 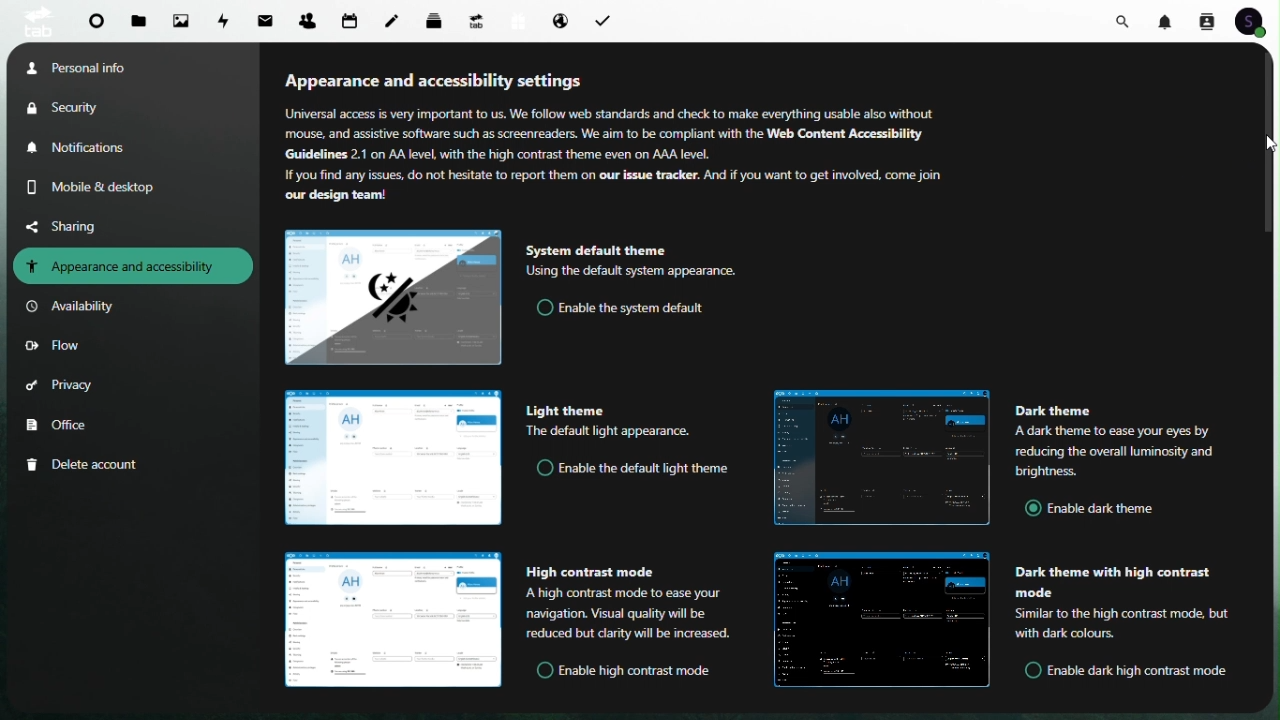 I want to click on Guidelines, so click(x=310, y=155).